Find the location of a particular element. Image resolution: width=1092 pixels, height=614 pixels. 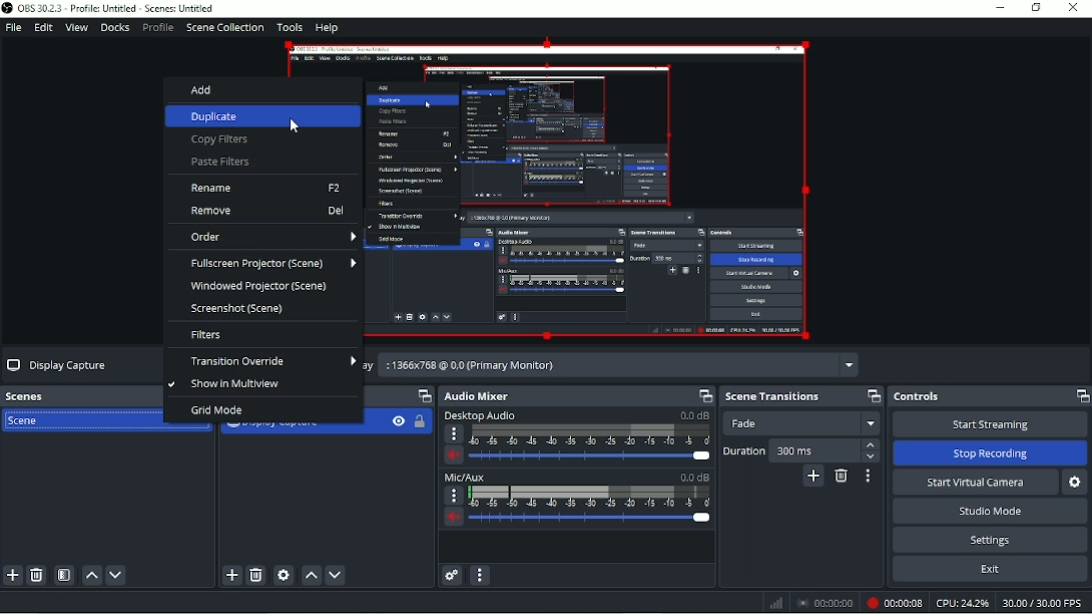

0.0 dB is located at coordinates (693, 477).